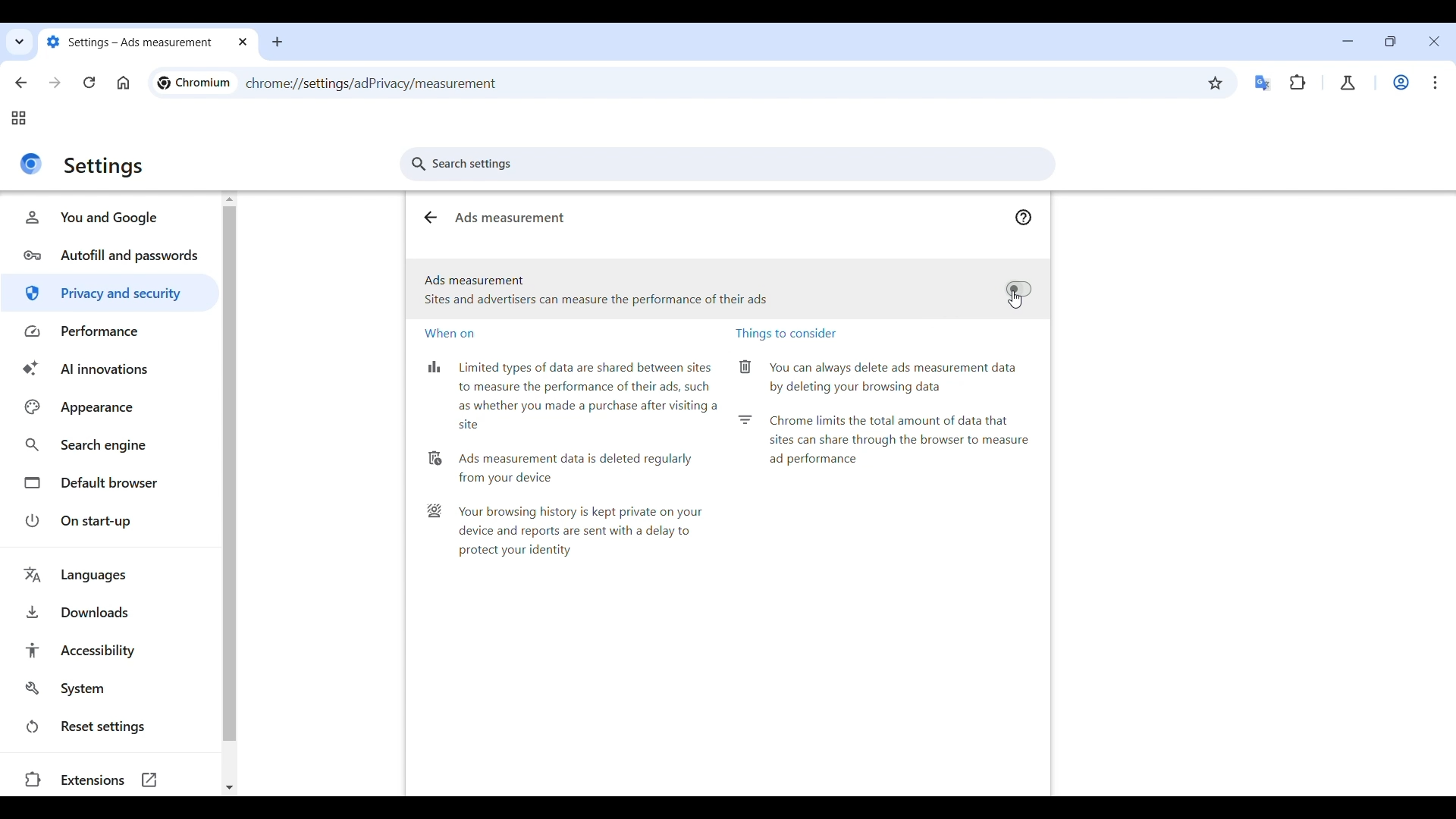 This screenshot has height=819, width=1456. I want to click on Customize and control Chromium highlighted, so click(1436, 83).